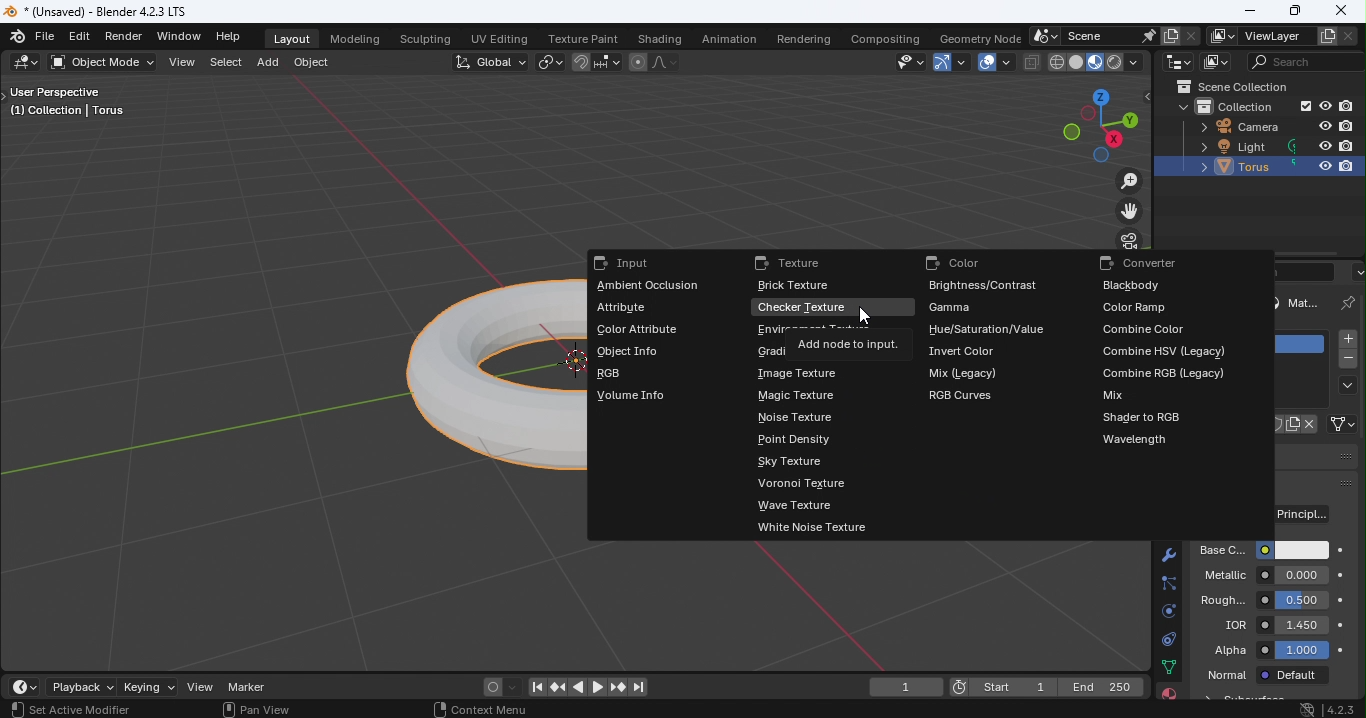  Describe the element at coordinates (1162, 373) in the screenshot. I see `Combine RGB legacy` at that location.